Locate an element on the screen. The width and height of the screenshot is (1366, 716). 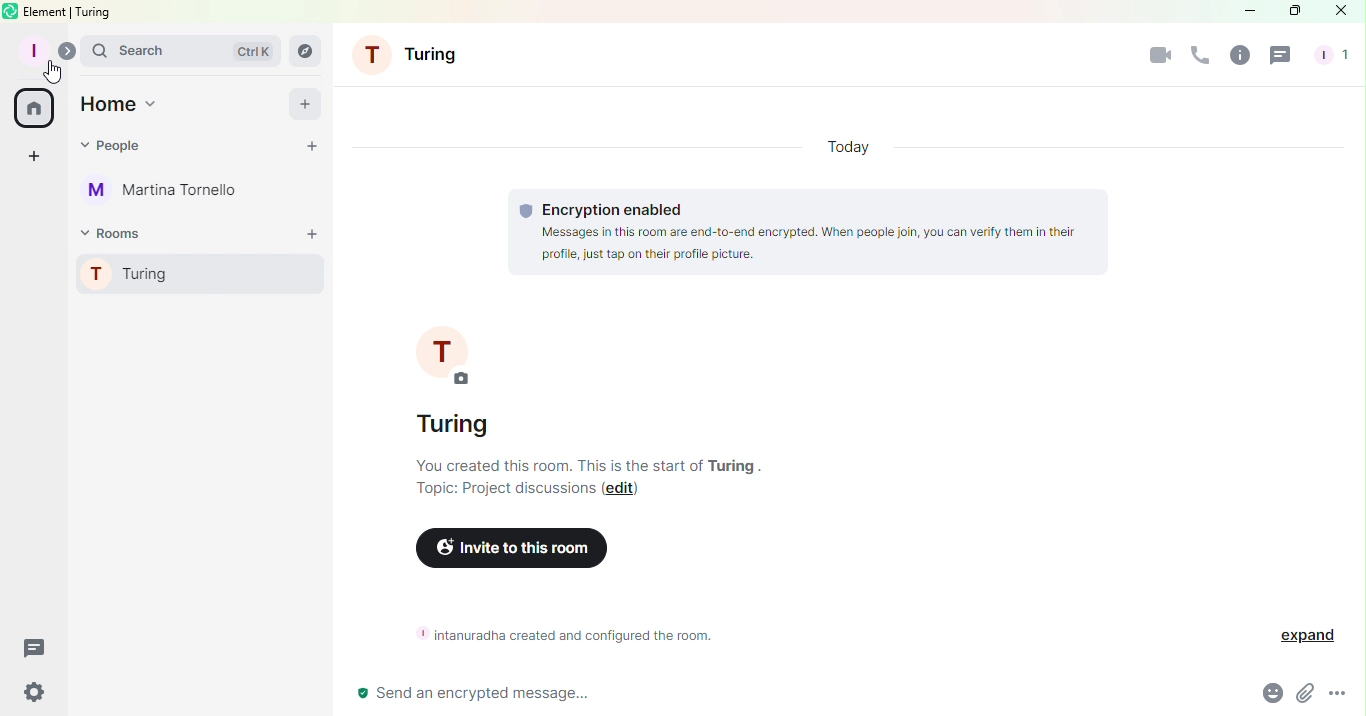
Home is located at coordinates (37, 110).